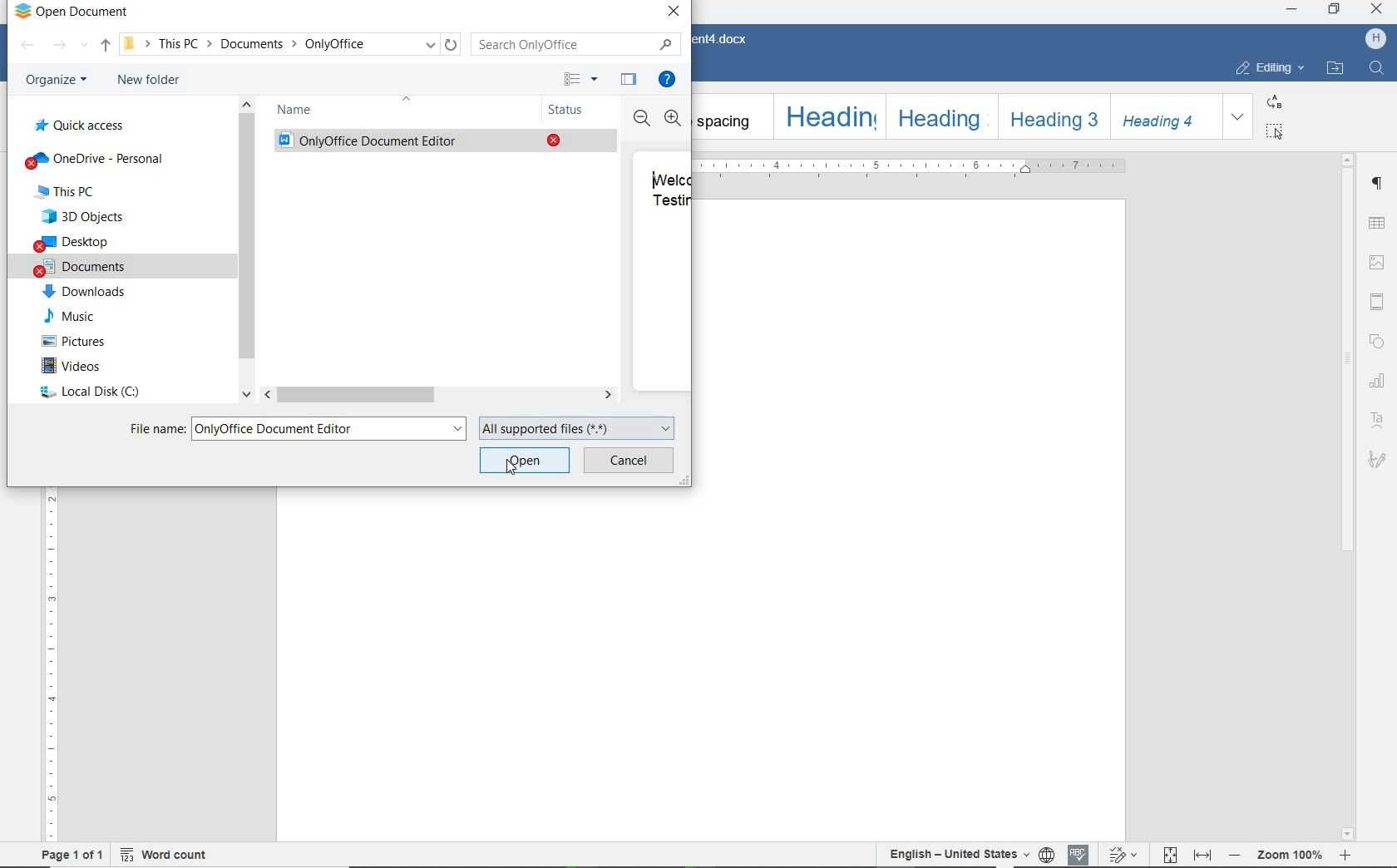 The width and height of the screenshot is (1397, 868). I want to click on Heading 3, so click(1055, 117).